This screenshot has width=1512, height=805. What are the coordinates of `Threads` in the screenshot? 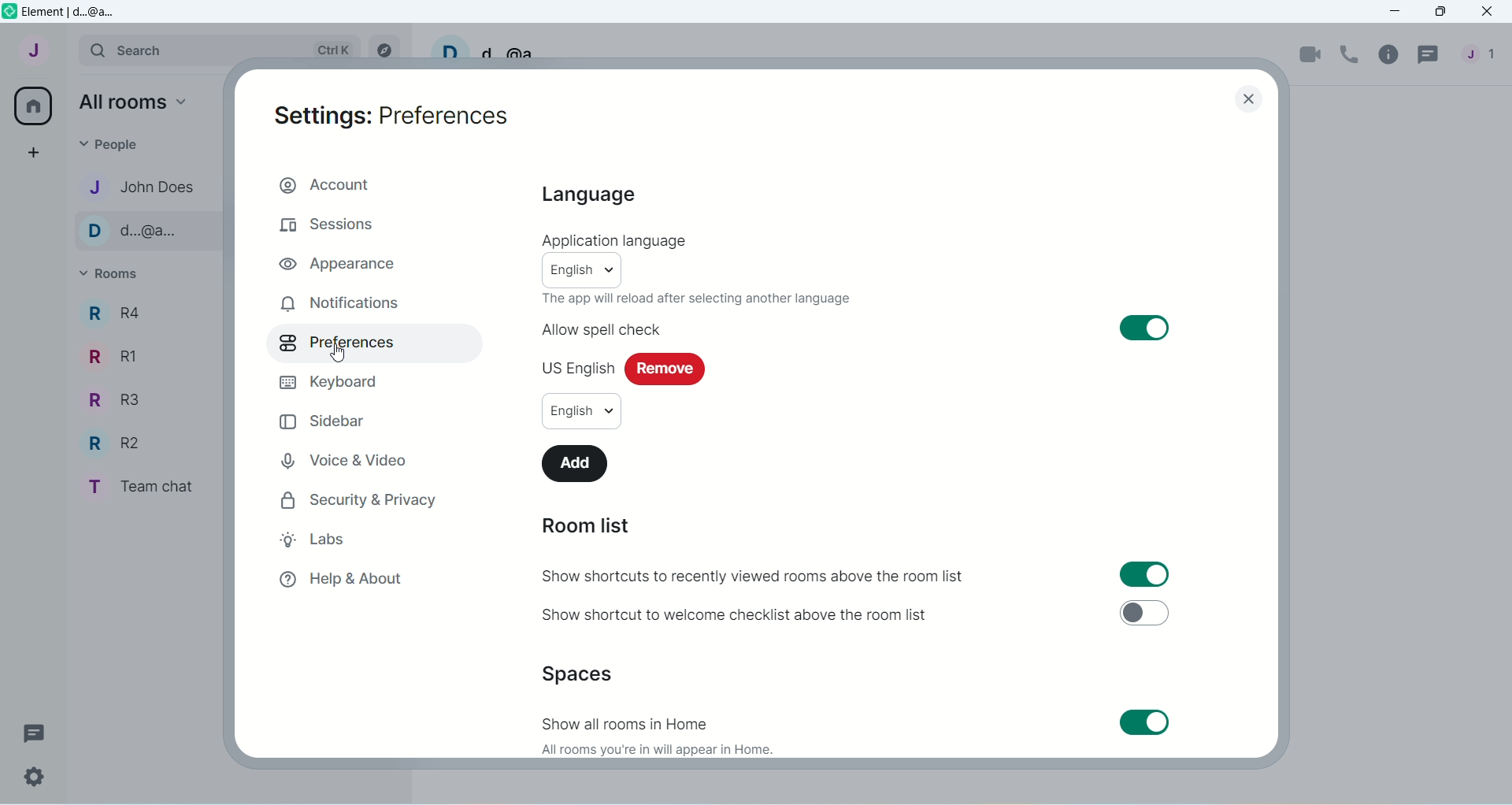 It's located at (42, 733).